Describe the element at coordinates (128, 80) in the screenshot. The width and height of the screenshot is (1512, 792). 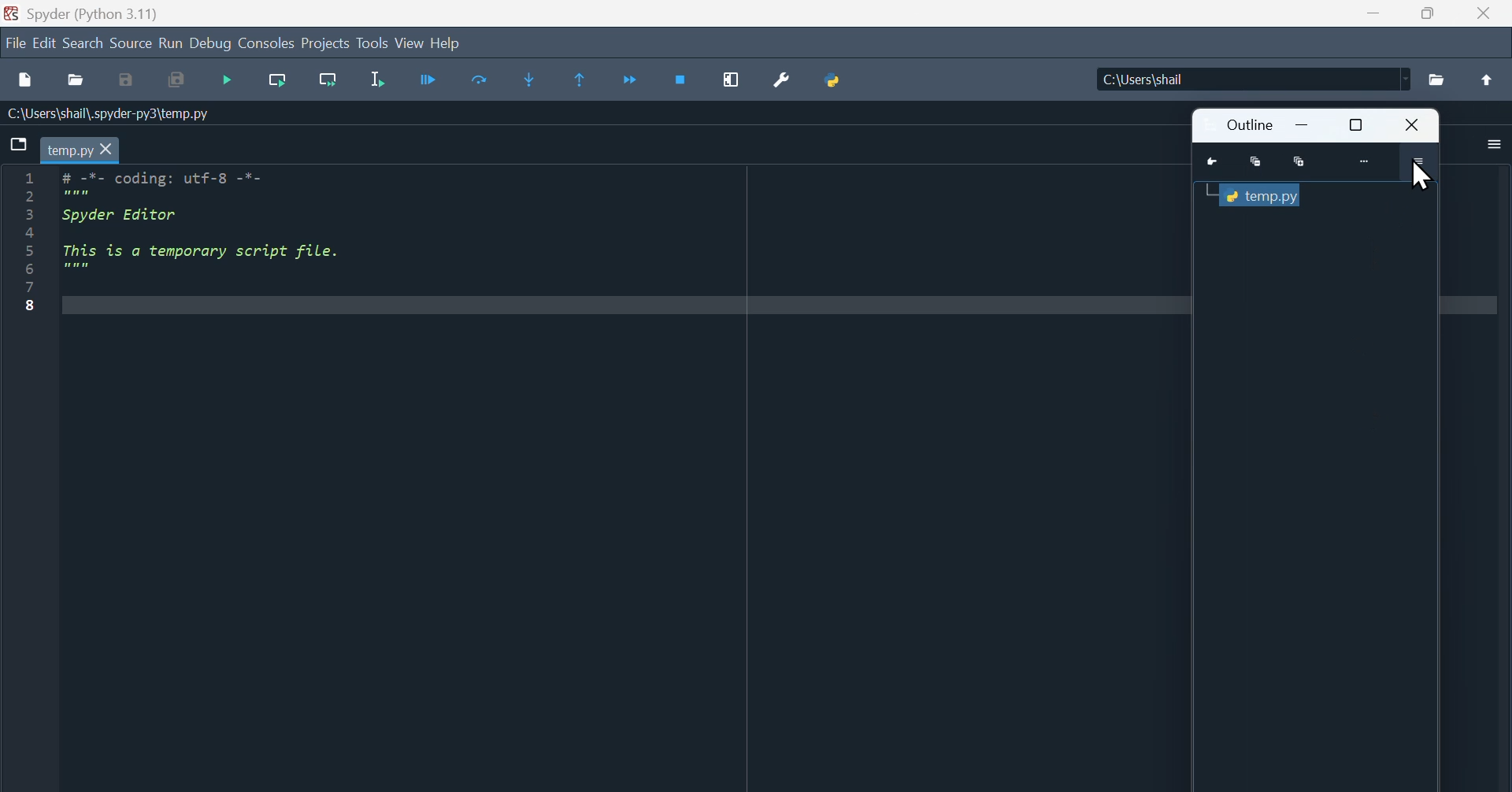
I see `save` at that location.